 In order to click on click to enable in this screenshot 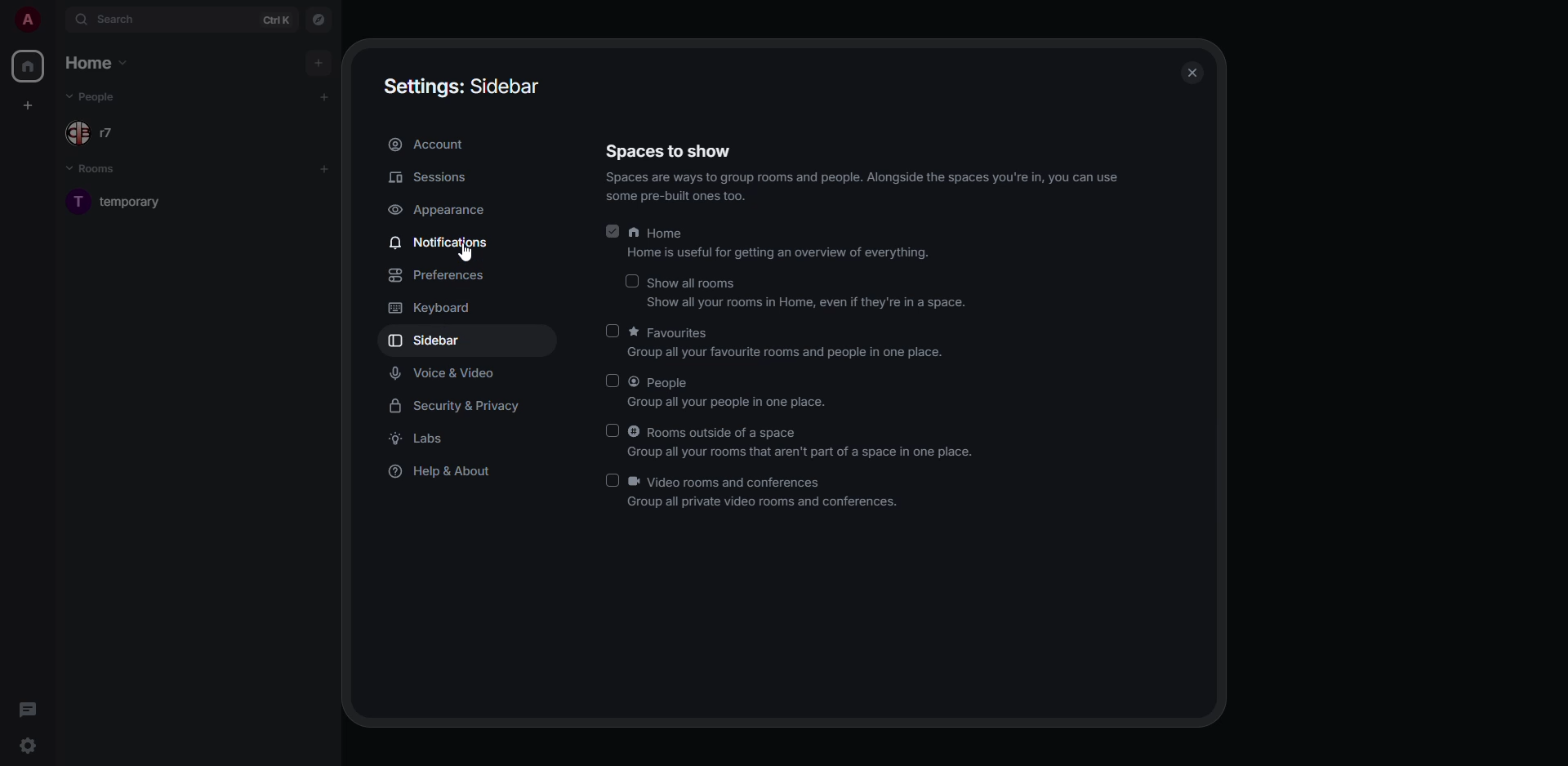, I will do `click(613, 380)`.